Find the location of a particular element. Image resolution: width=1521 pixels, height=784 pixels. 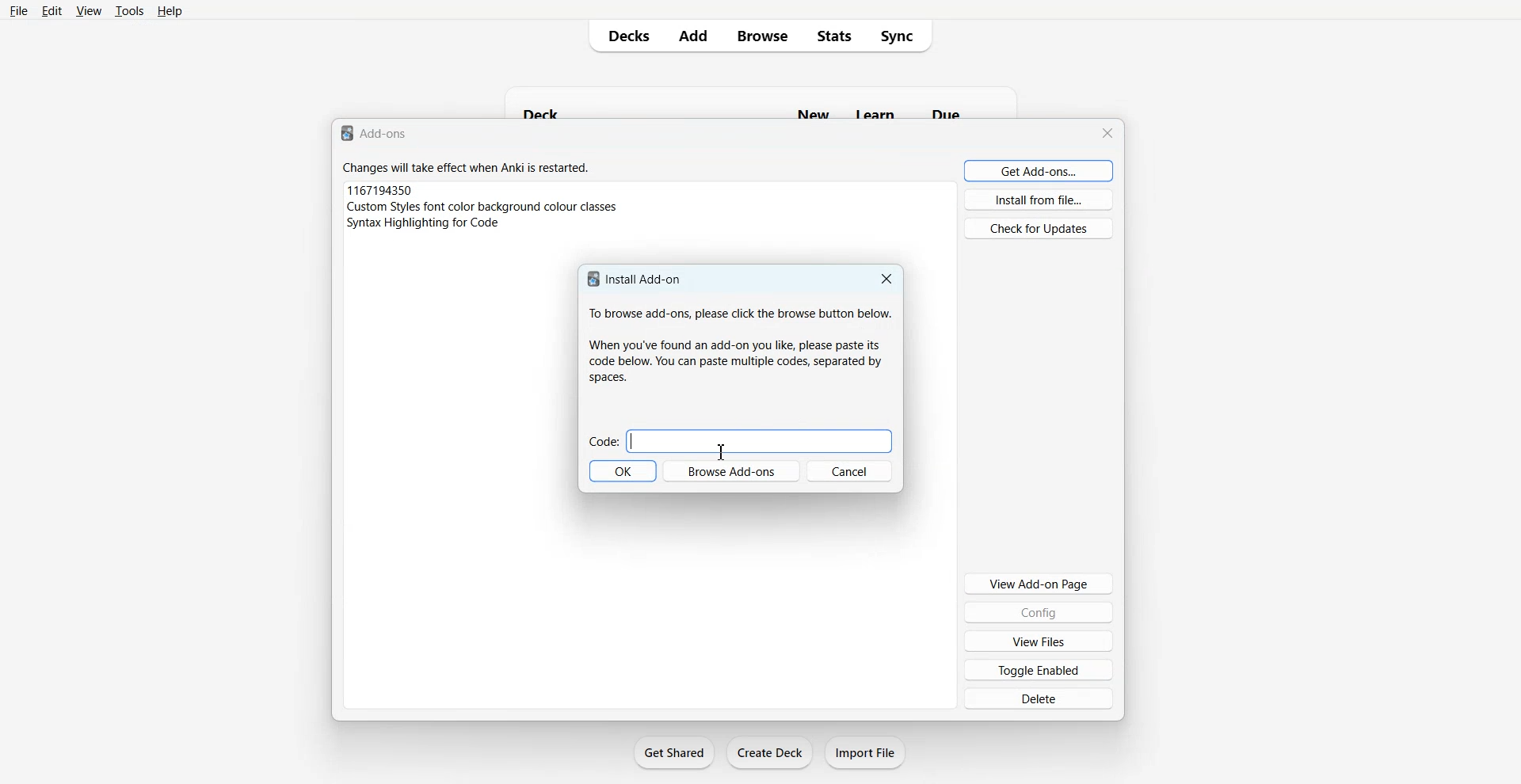

Check for Updates is located at coordinates (1038, 228).